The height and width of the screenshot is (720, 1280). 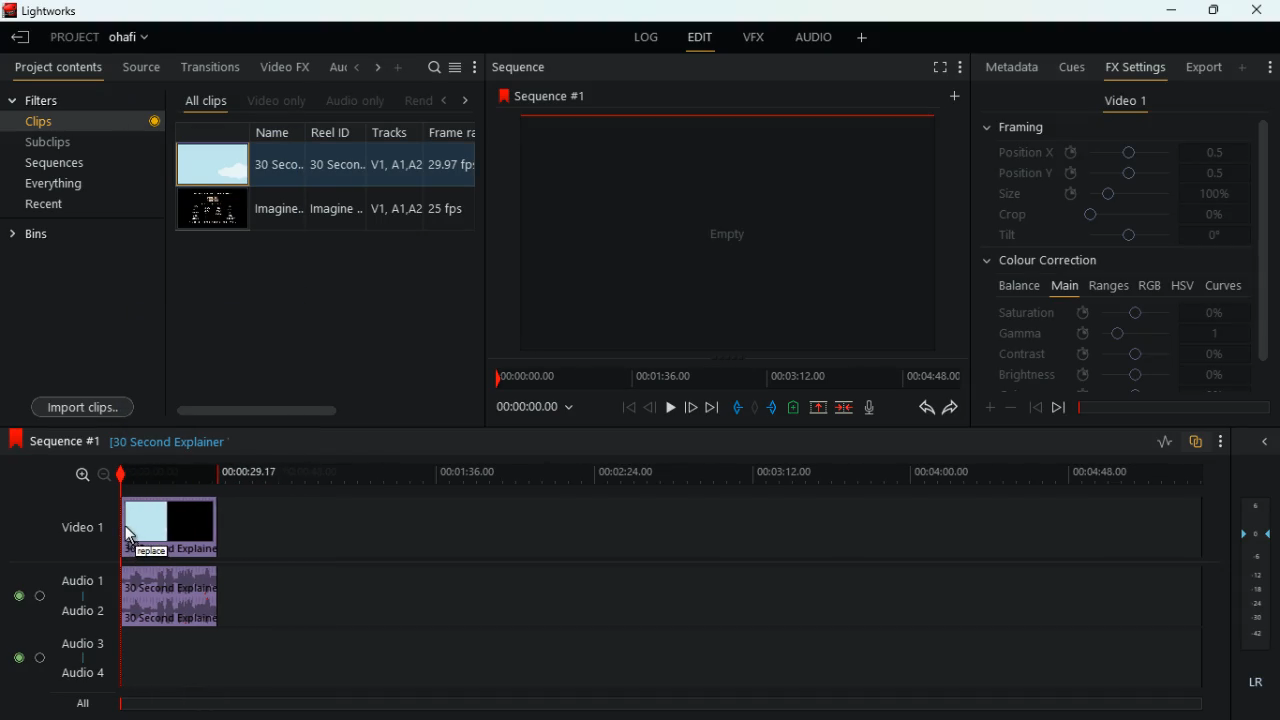 I want to click on fps, so click(x=449, y=178).